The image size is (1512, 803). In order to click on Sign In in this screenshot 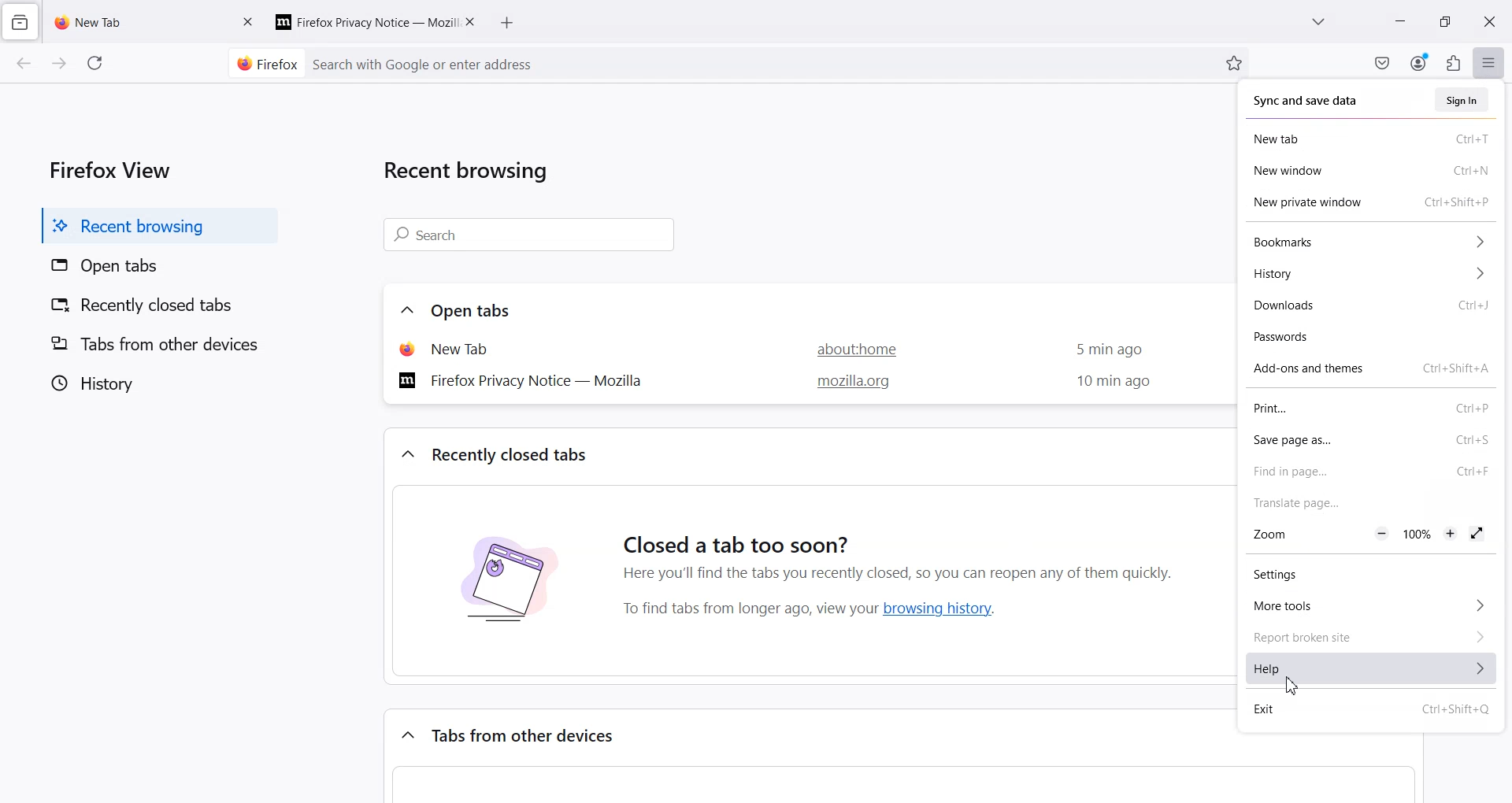, I will do `click(1462, 100)`.